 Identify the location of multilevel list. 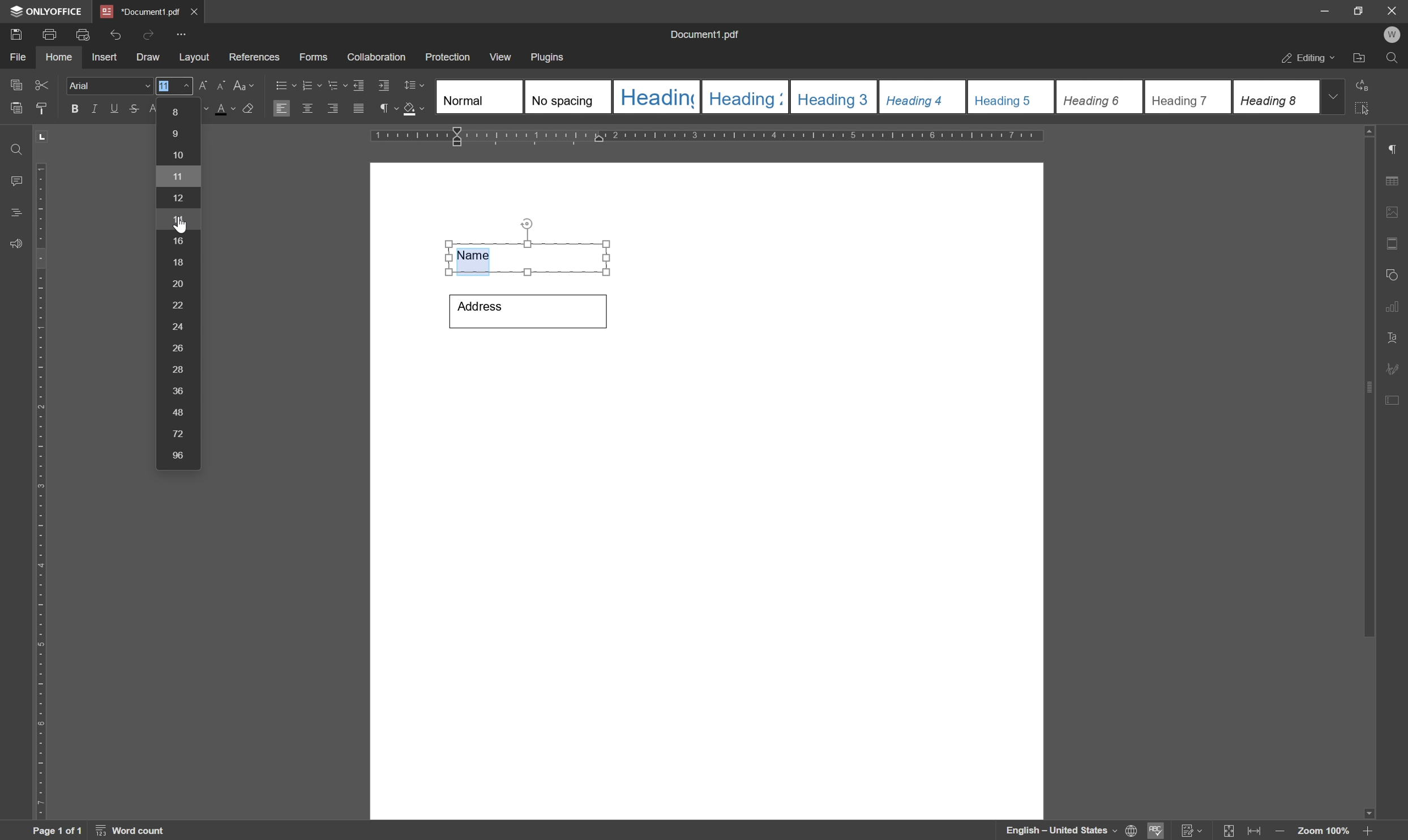
(336, 85).